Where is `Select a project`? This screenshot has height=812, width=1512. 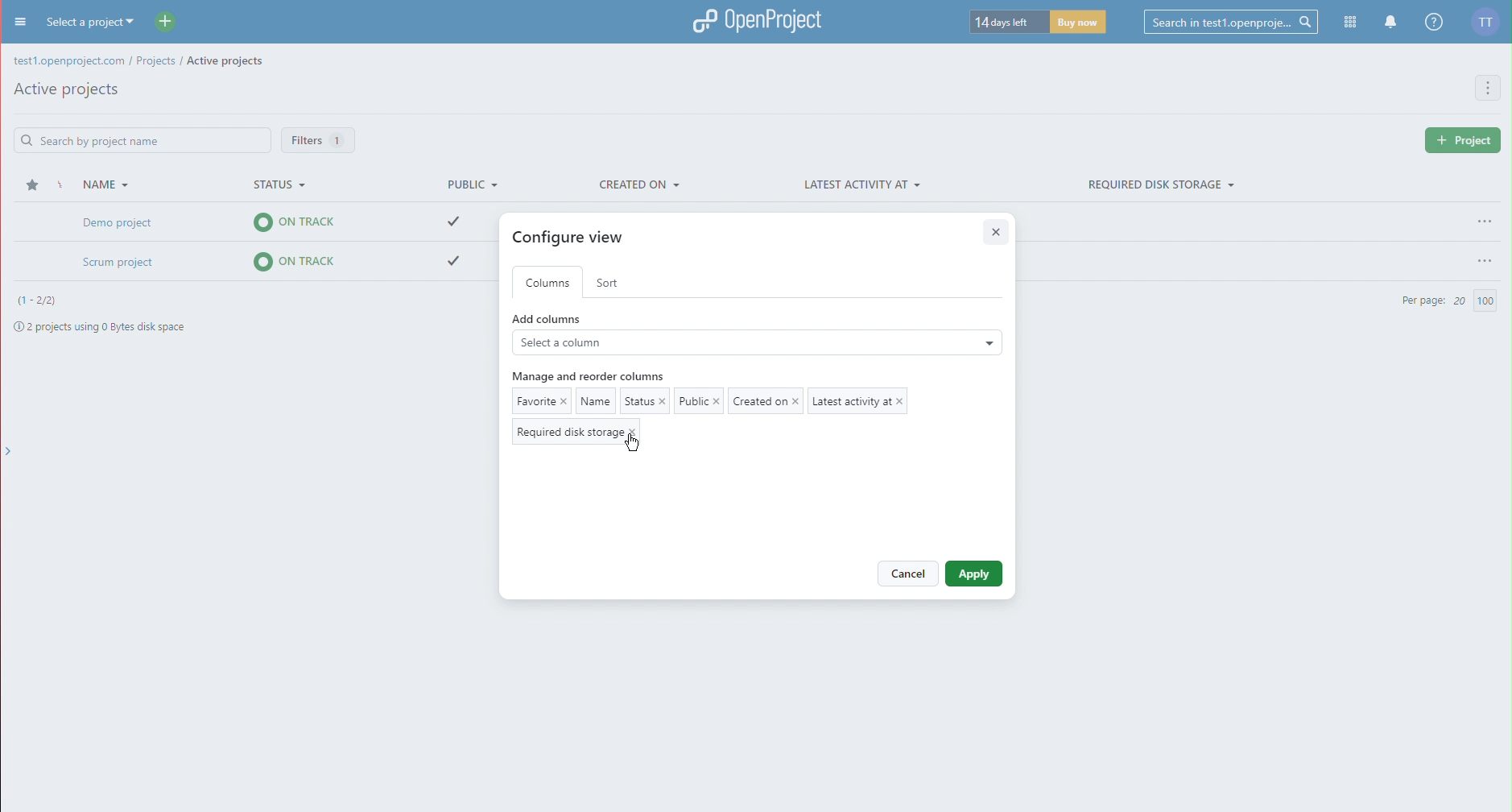
Select a project is located at coordinates (111, 22).